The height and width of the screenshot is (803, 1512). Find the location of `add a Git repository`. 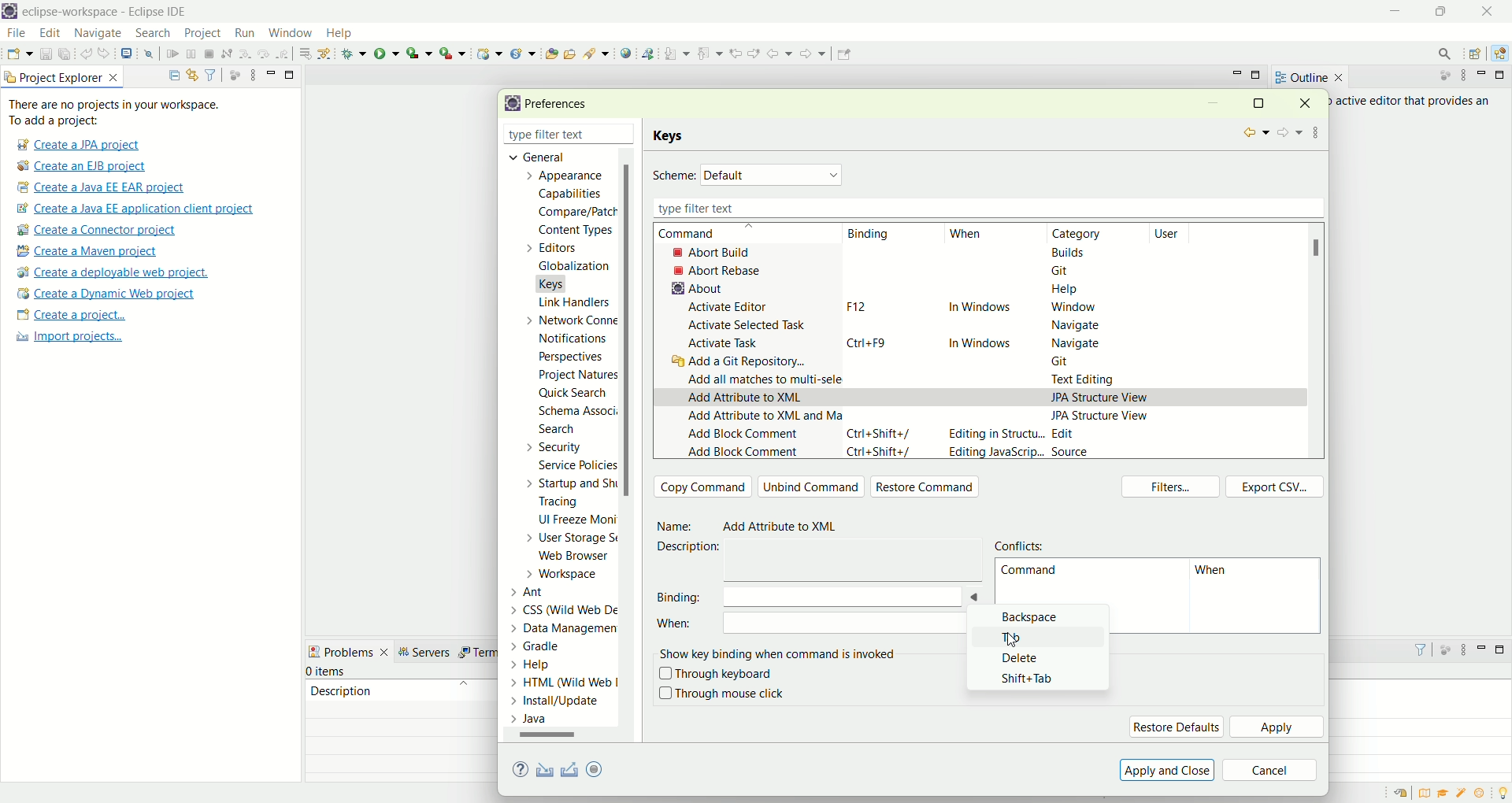

add a Git repository is located at coordinates (743, 363).